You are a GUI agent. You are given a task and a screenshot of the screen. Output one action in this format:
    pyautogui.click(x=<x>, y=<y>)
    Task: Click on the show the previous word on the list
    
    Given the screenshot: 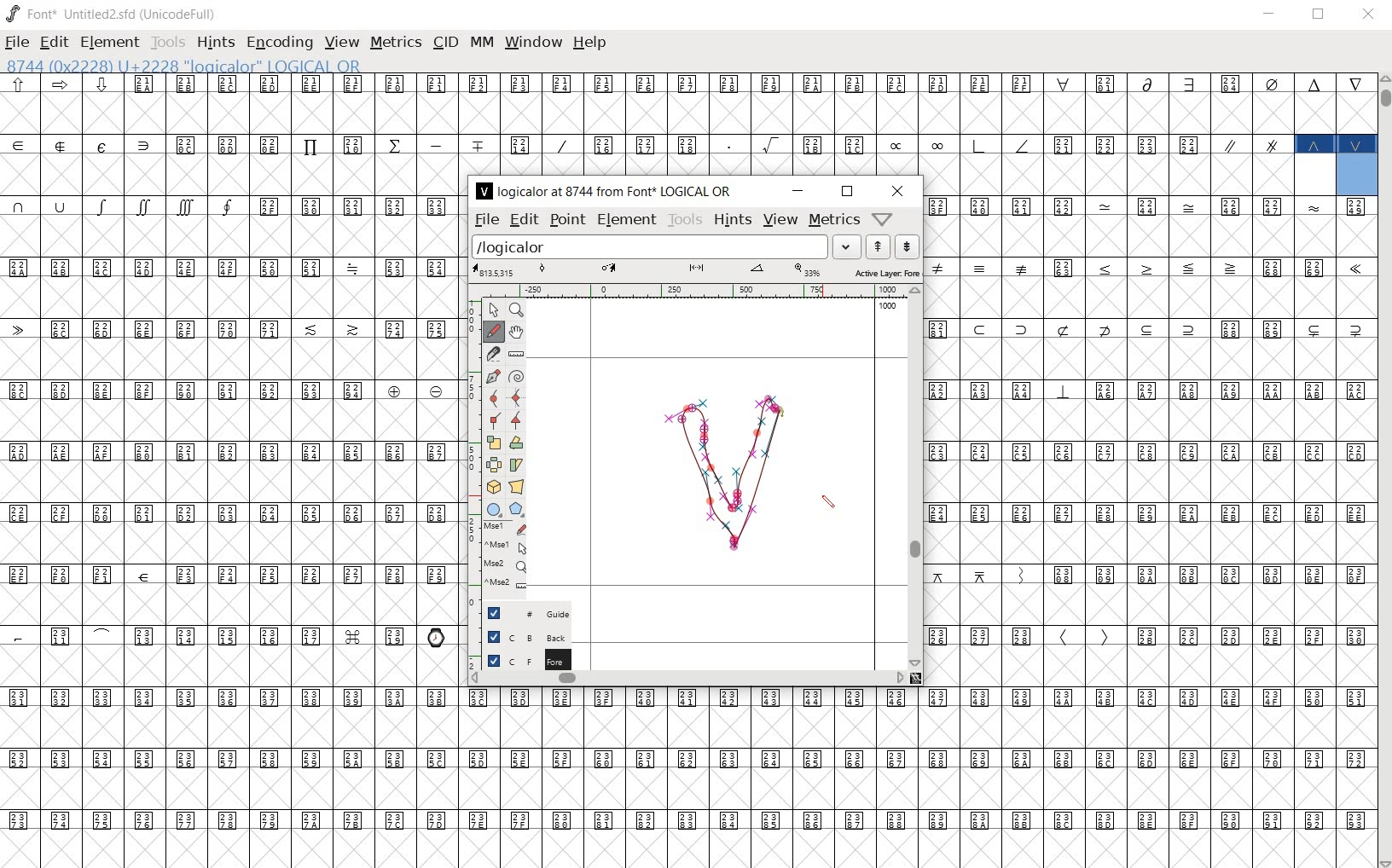 What is the action you would take?
    pyautogui.click(x=907, y=246)
    